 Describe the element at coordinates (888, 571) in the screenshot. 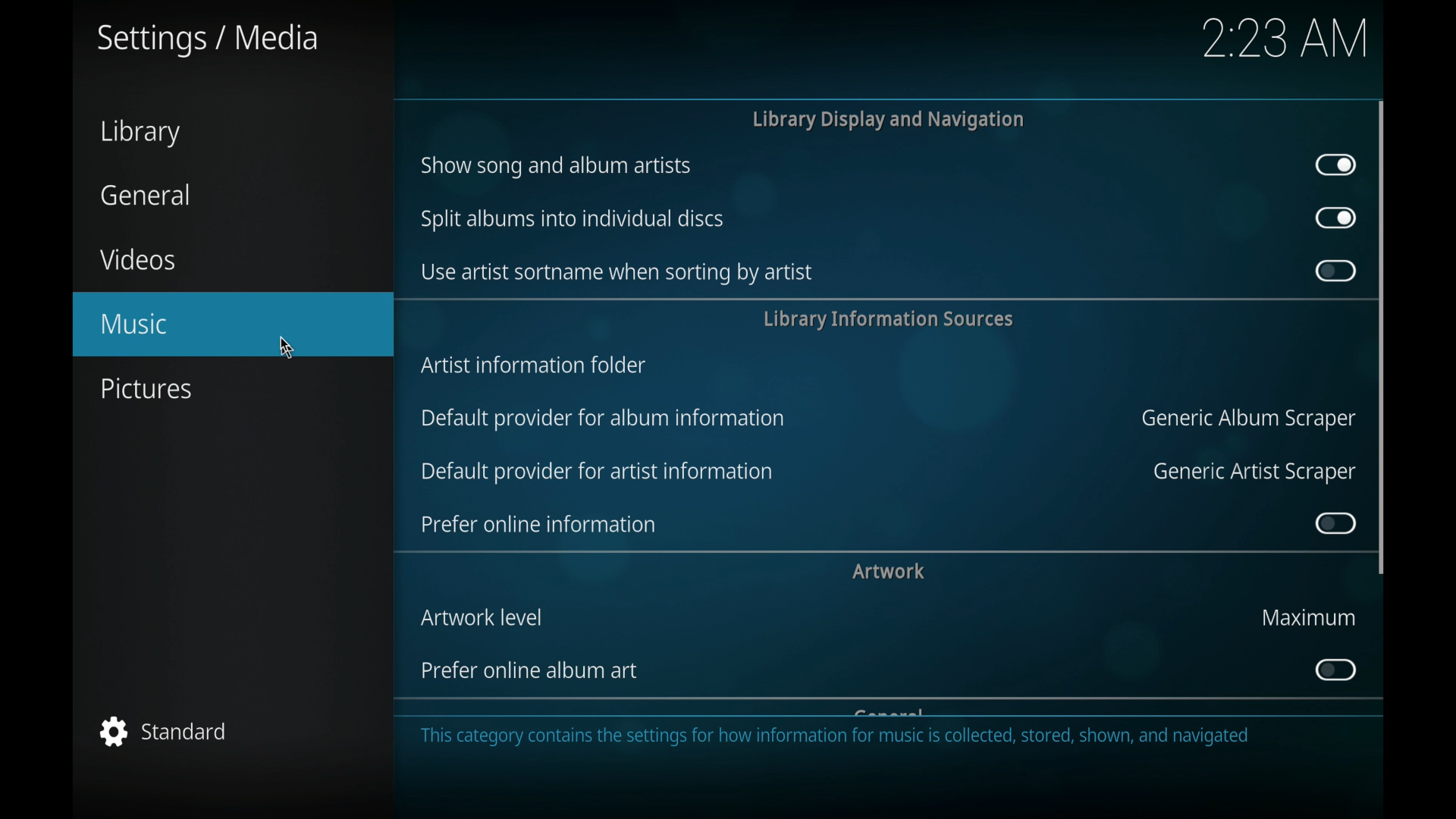

I see `artwork` at that location.